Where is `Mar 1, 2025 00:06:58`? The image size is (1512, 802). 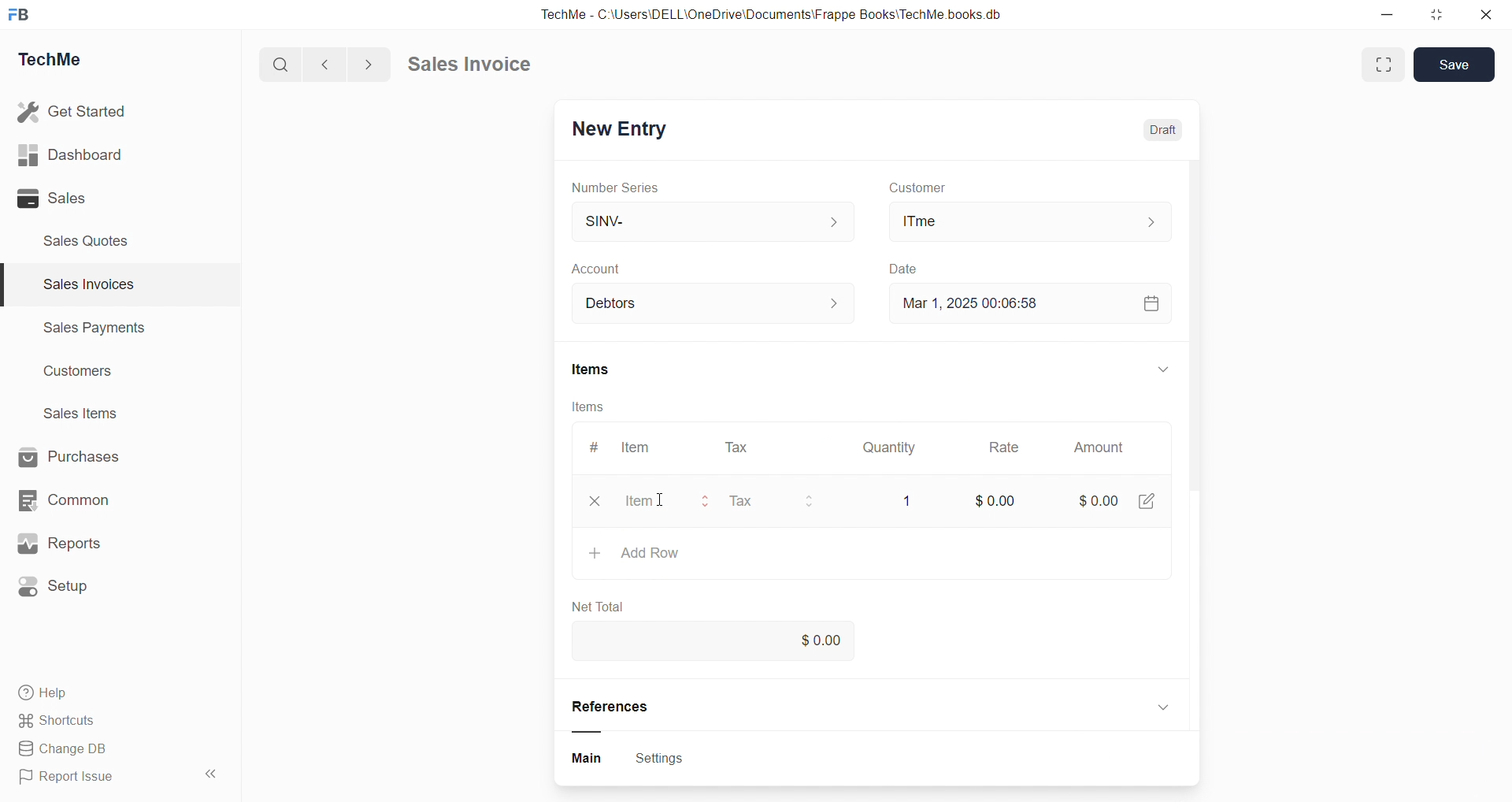
Mar 1, 2025 00:06:58 is located at coordinates (980, 302).